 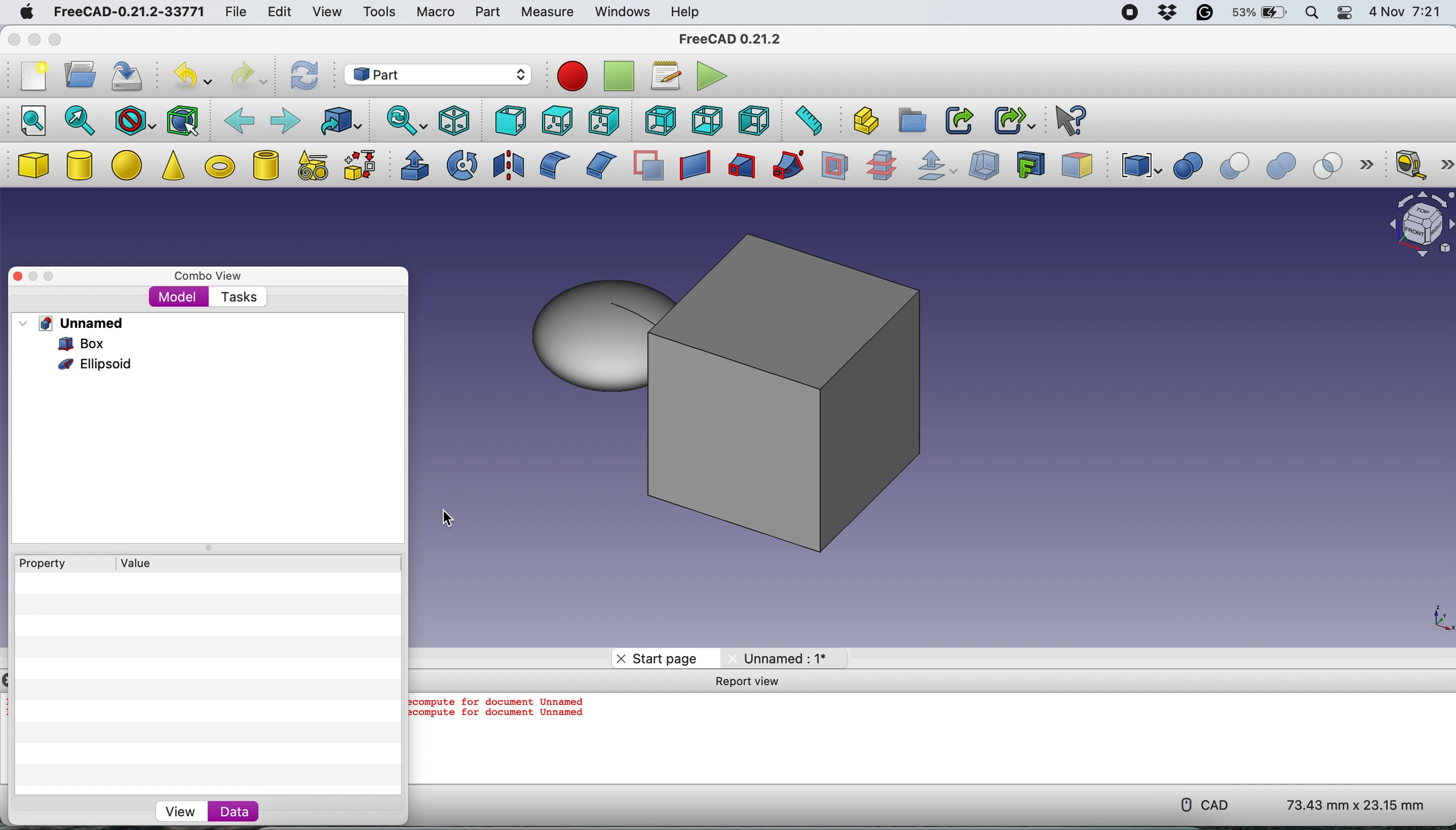 I want to click on rear, so click(x=658, y=120).